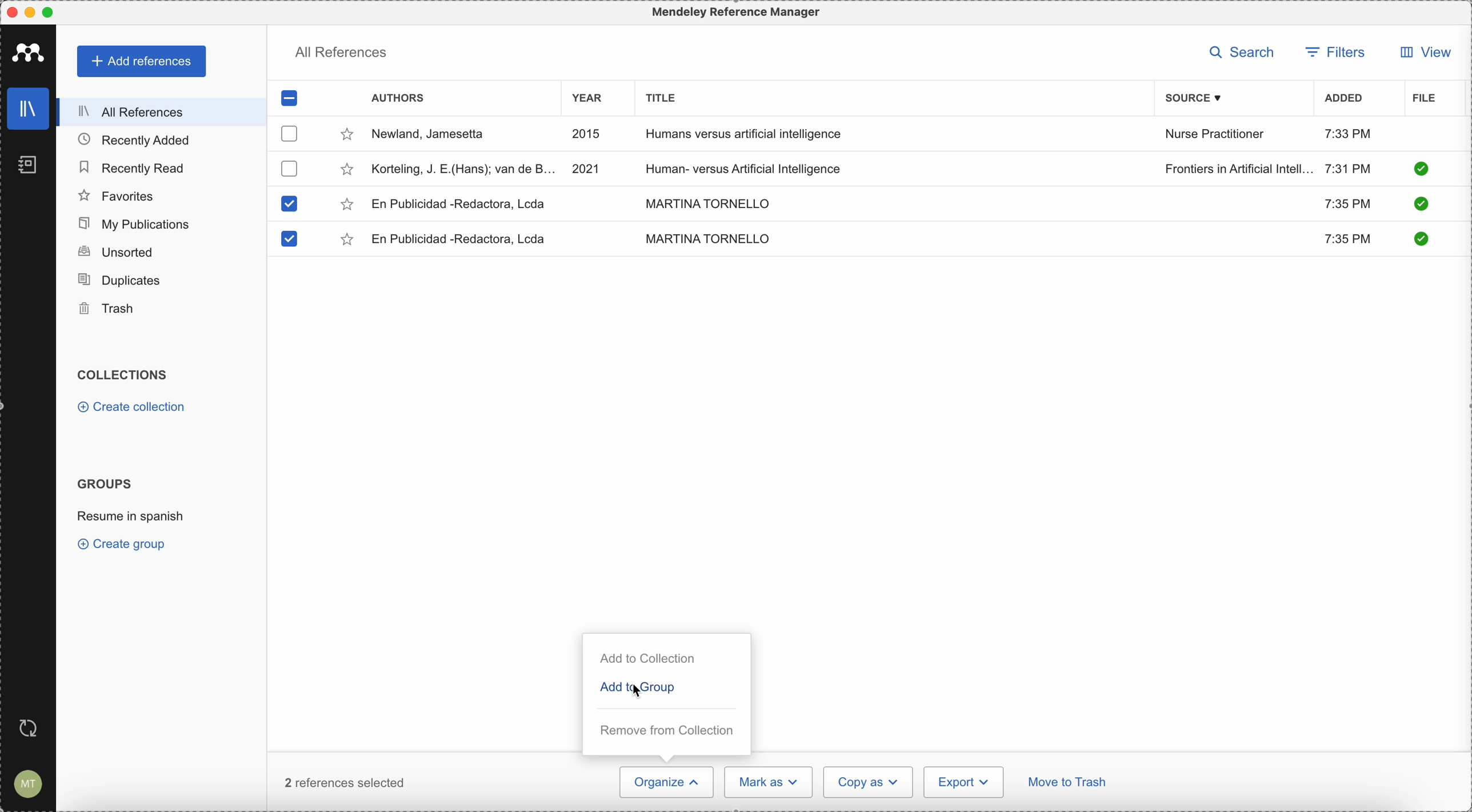 This screenshot has width=1472, height=812. Describe the element at coordinates (29, 50) in the screenshot. I see `Mendeley icon` at that location.